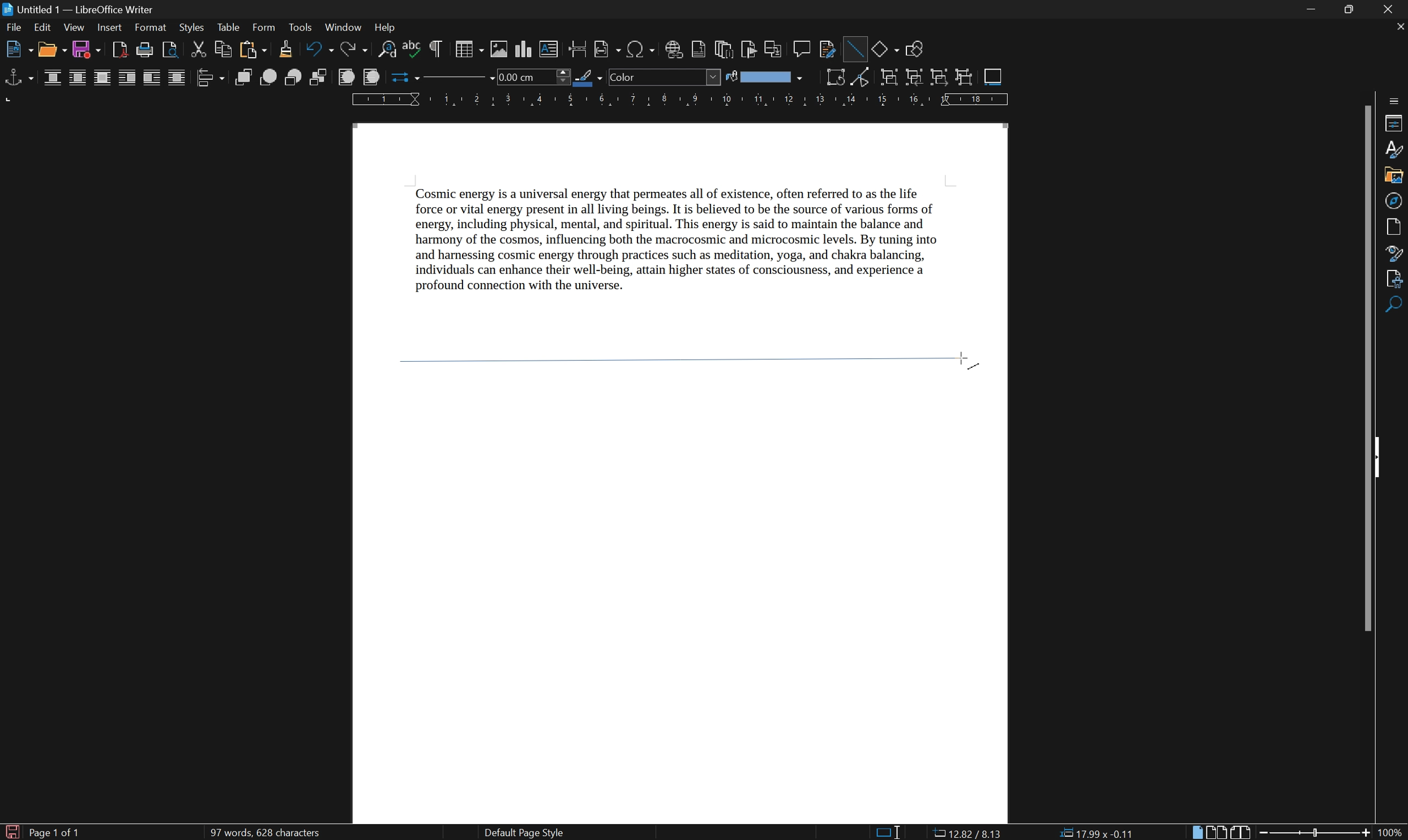 The height and width of the screenshot is (840, 1408). Describe the element at coordinates (295, 78) in the screenshot. I see `back one` at that location.